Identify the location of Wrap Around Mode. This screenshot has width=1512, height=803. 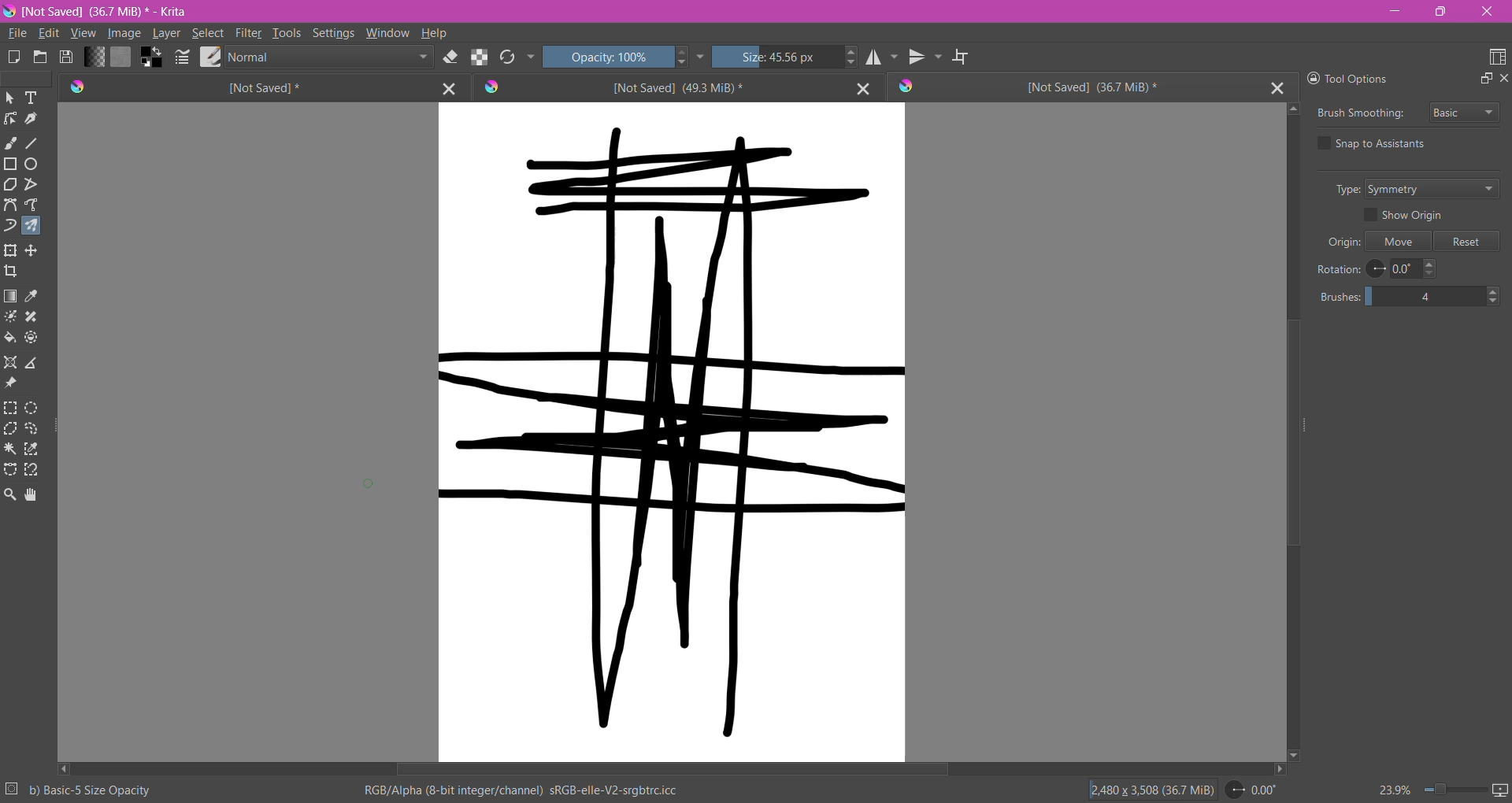
(962, 57).